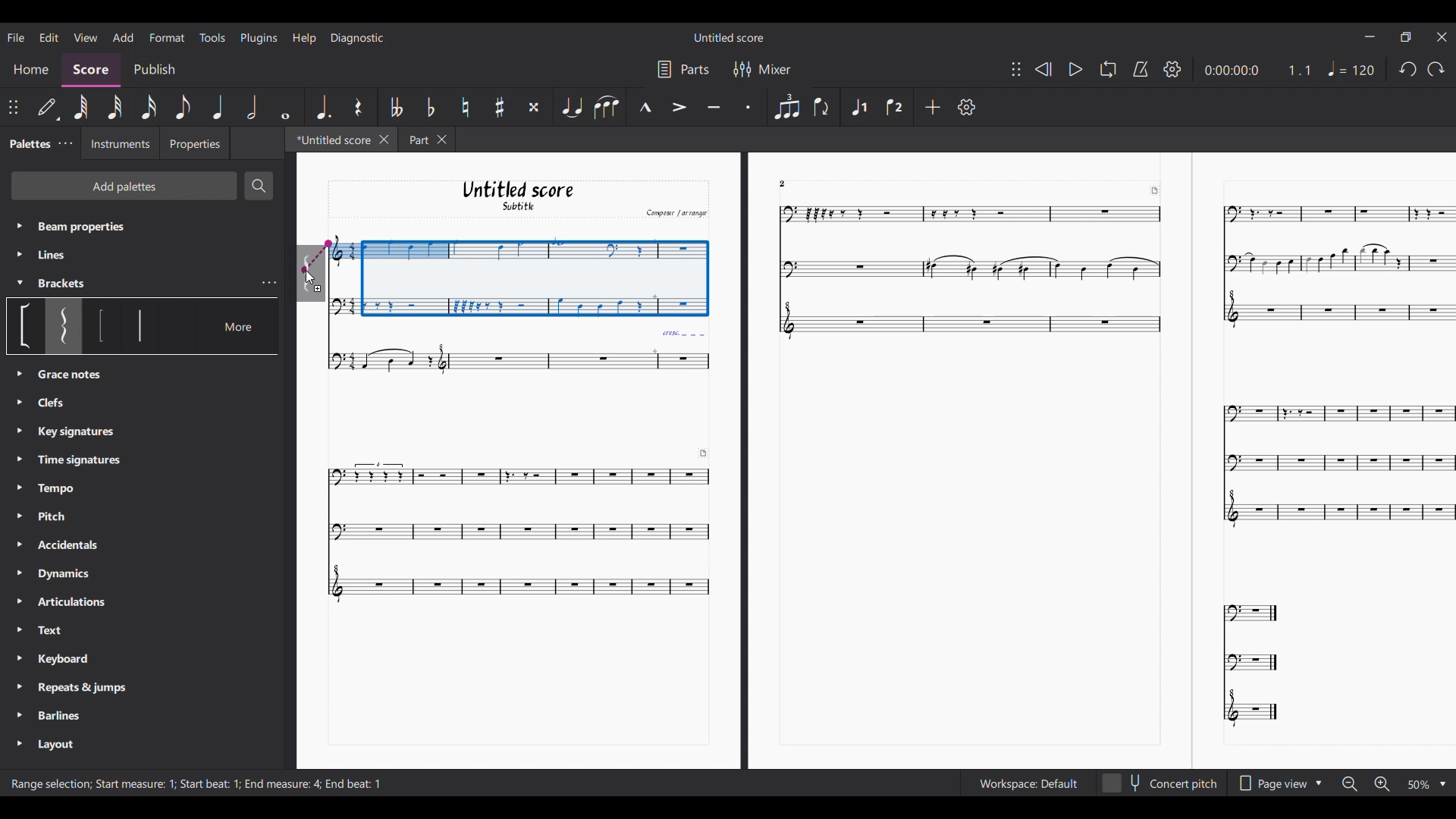  I want to click on Voice 1, so click(859, 105).